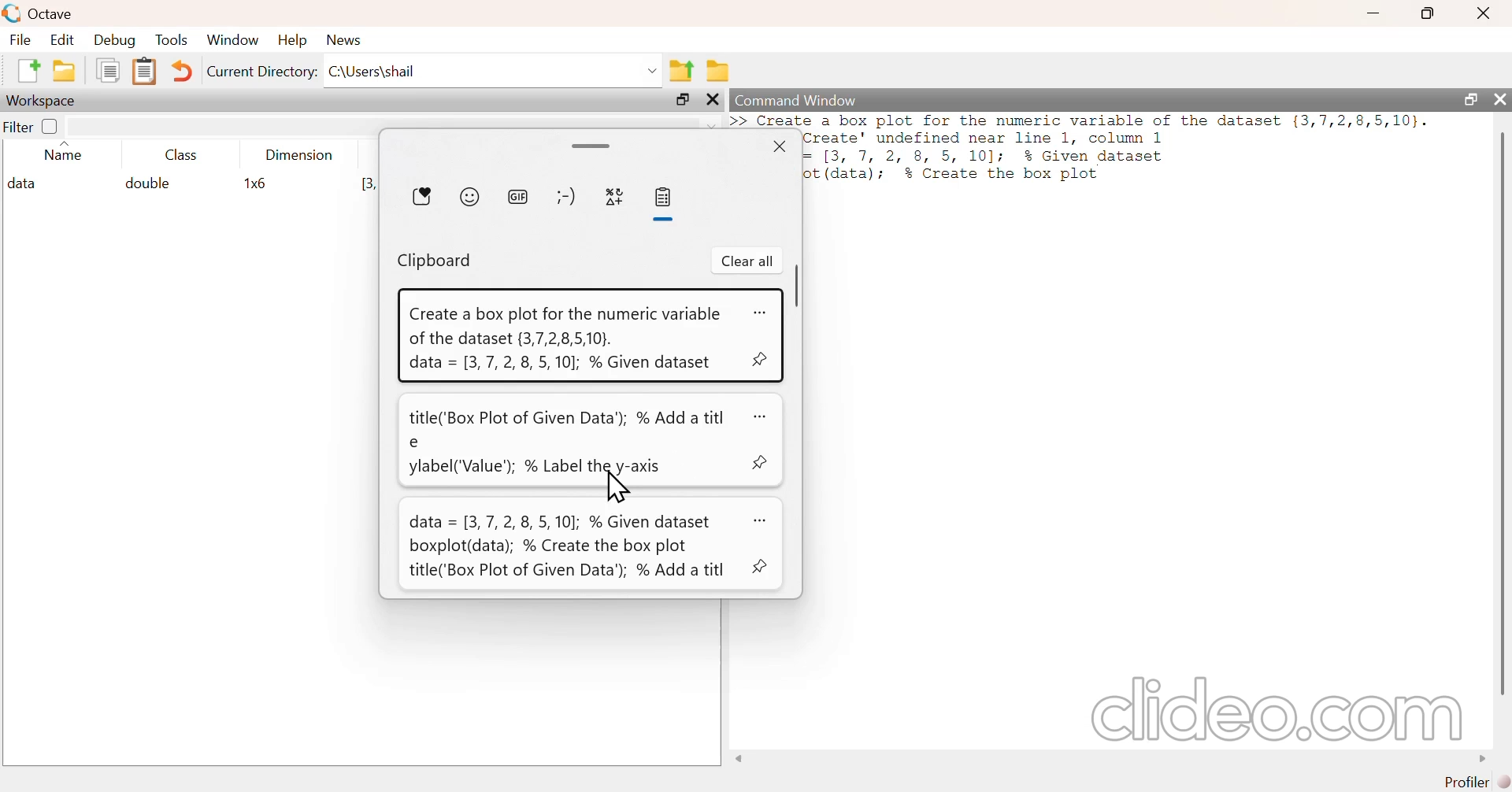  Describe the element at coordinates (10, 13) in the screenshot. I see `logo` at that location.